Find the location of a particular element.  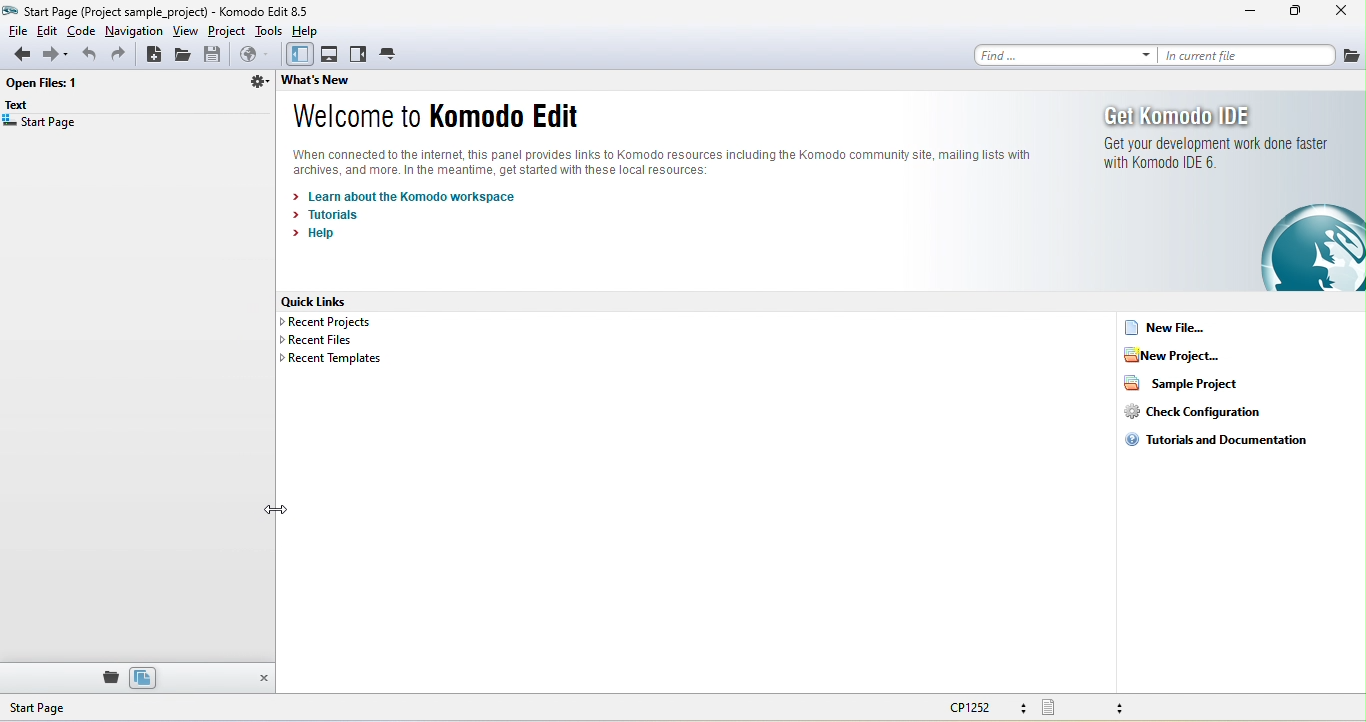

close pane is located at coordinates (262, 679).